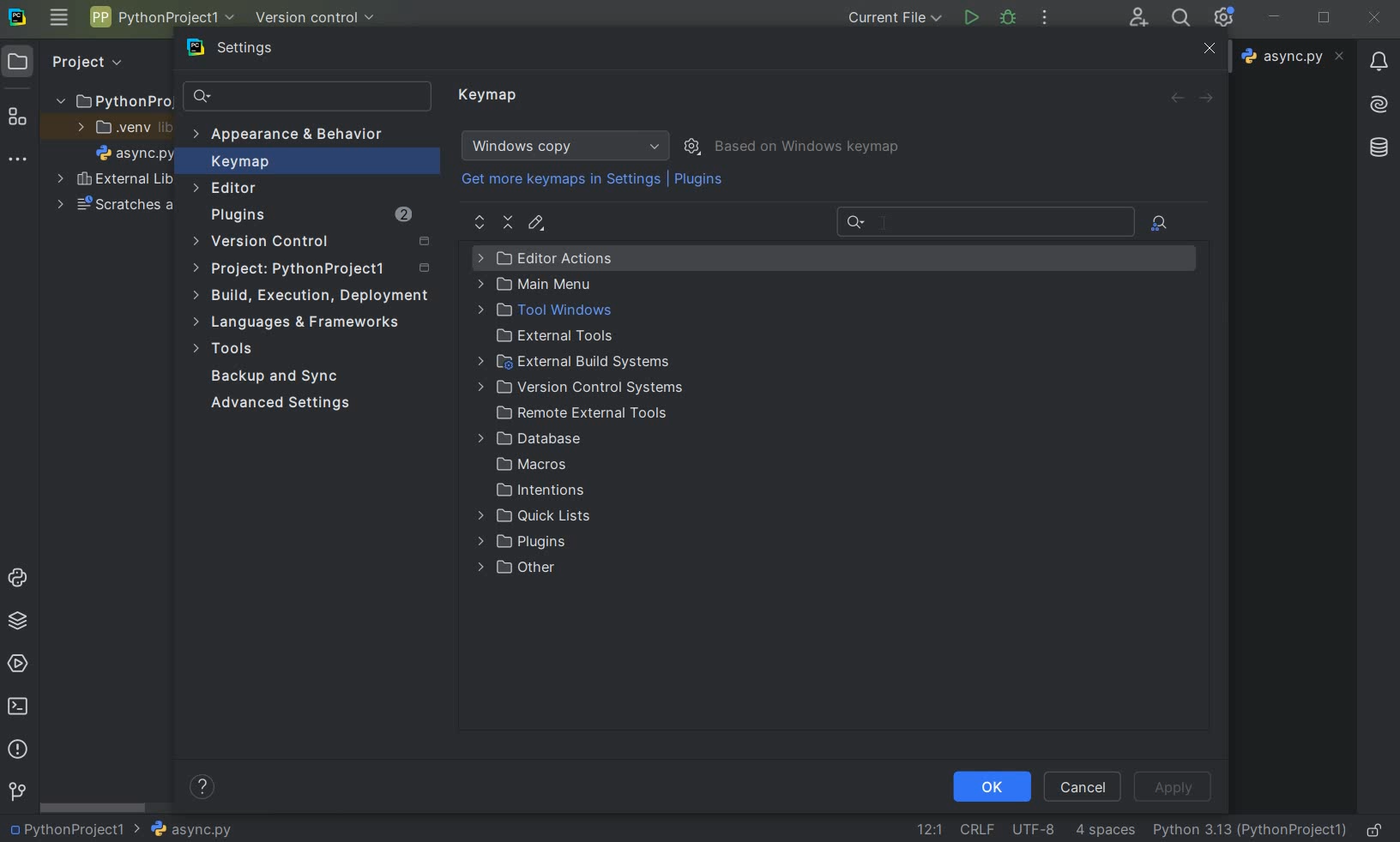 The image size is (1400, 842). What do you see at coordinates (1035, 828) in the screenshot?
I see `file encoding` at bounding box center [1035, 828].